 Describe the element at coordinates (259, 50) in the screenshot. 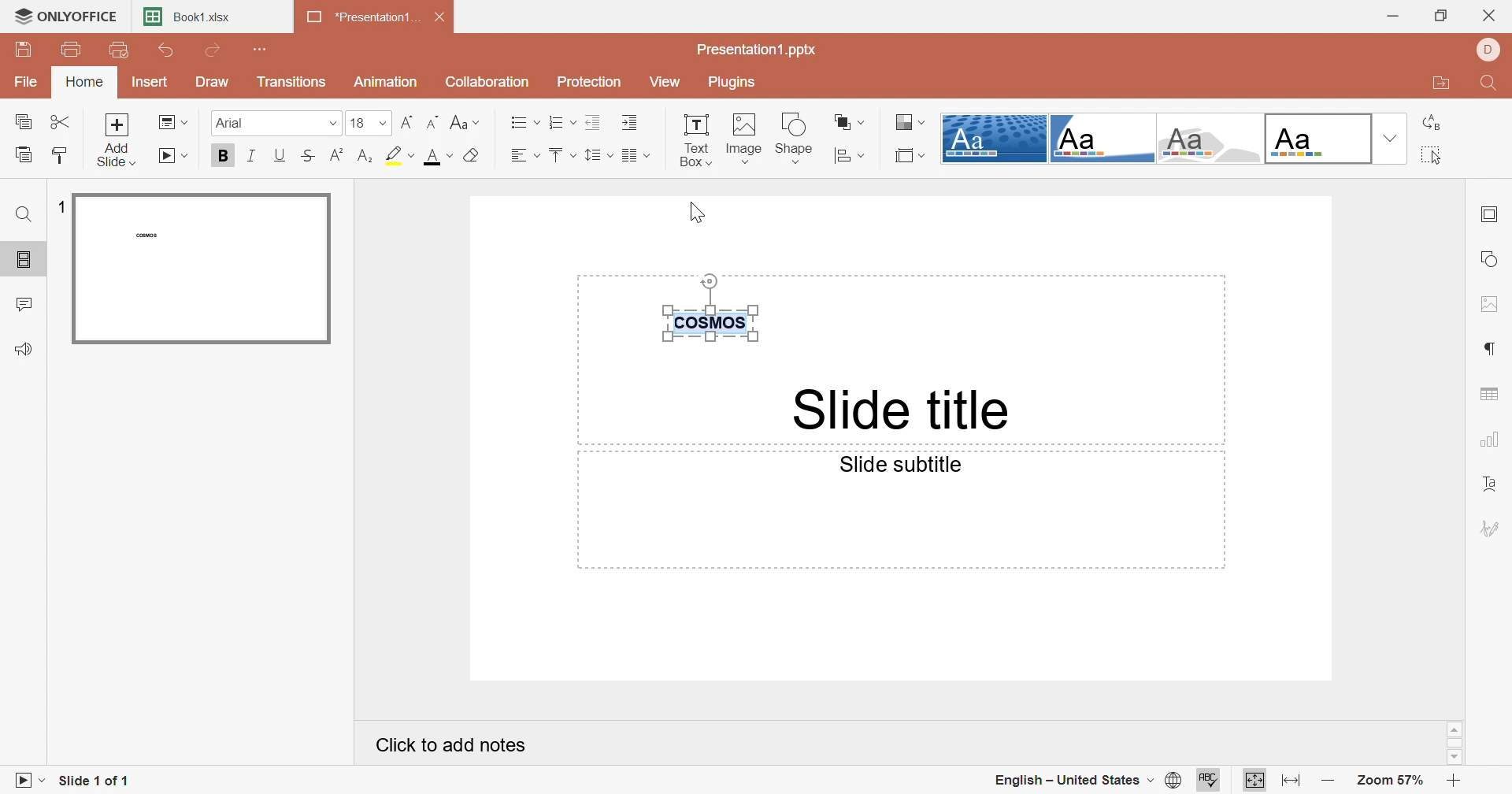

I see `Customize Quick Access Toolbar` at that location.